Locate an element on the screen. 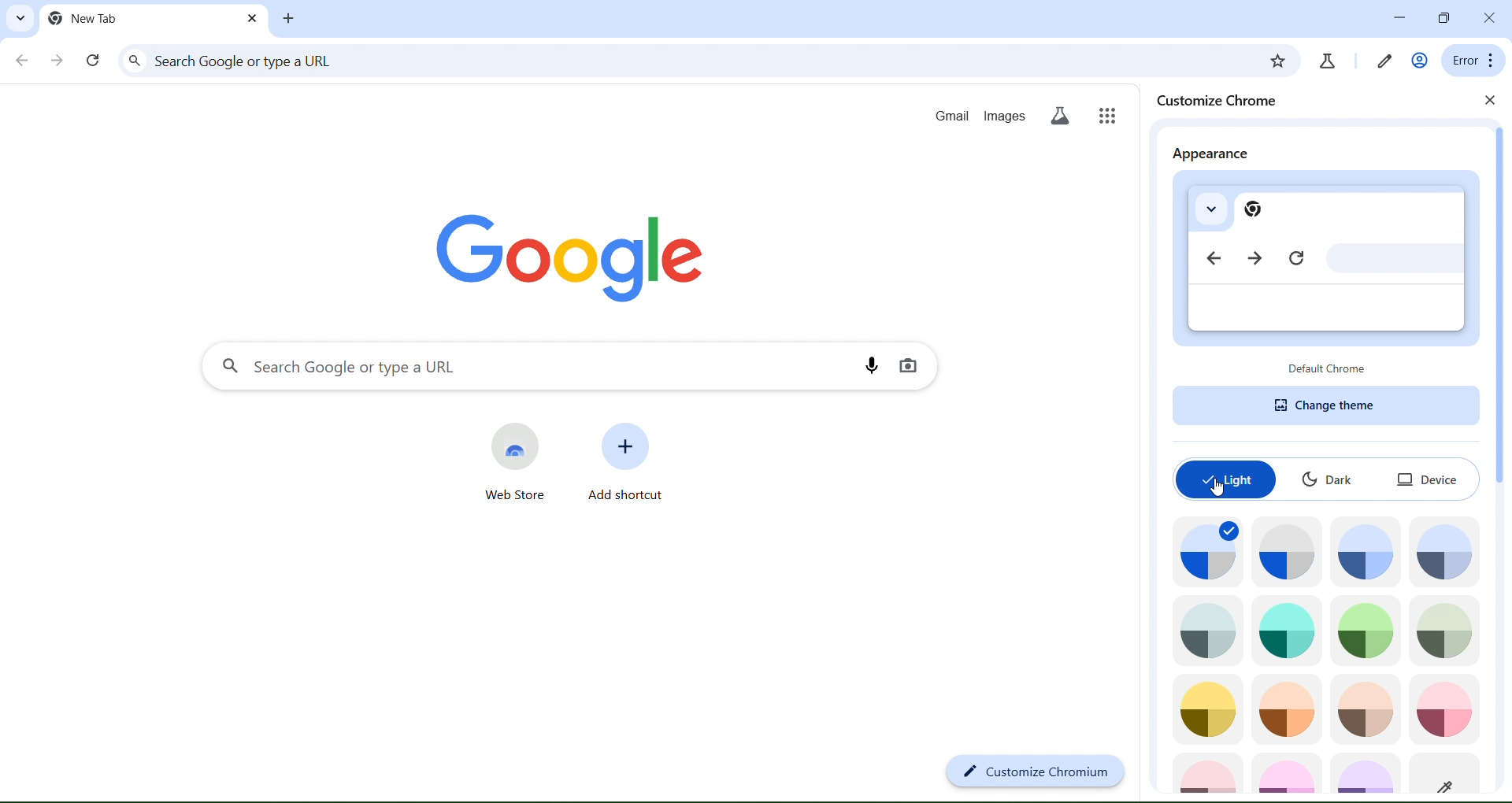 Image resolution: width=1512 pixels, height=803 pixels. gmail is located at coordinates (954, 113).